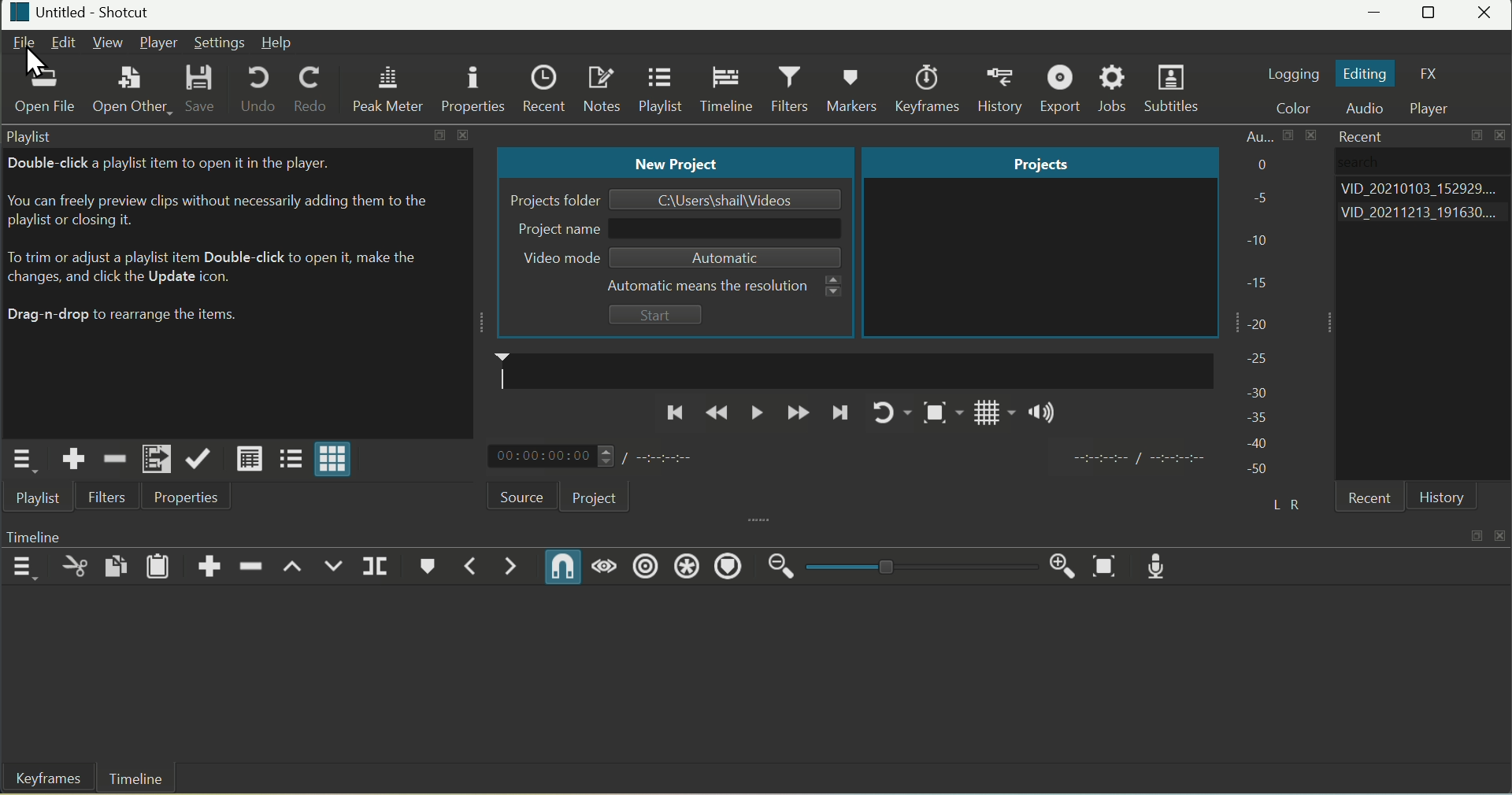 The width and height of the screenshot is (1512, 795). What do you see at coordinates (20, 460) in the screenshot?
I see `Play;ist menu` at bounding box center [20, 460].